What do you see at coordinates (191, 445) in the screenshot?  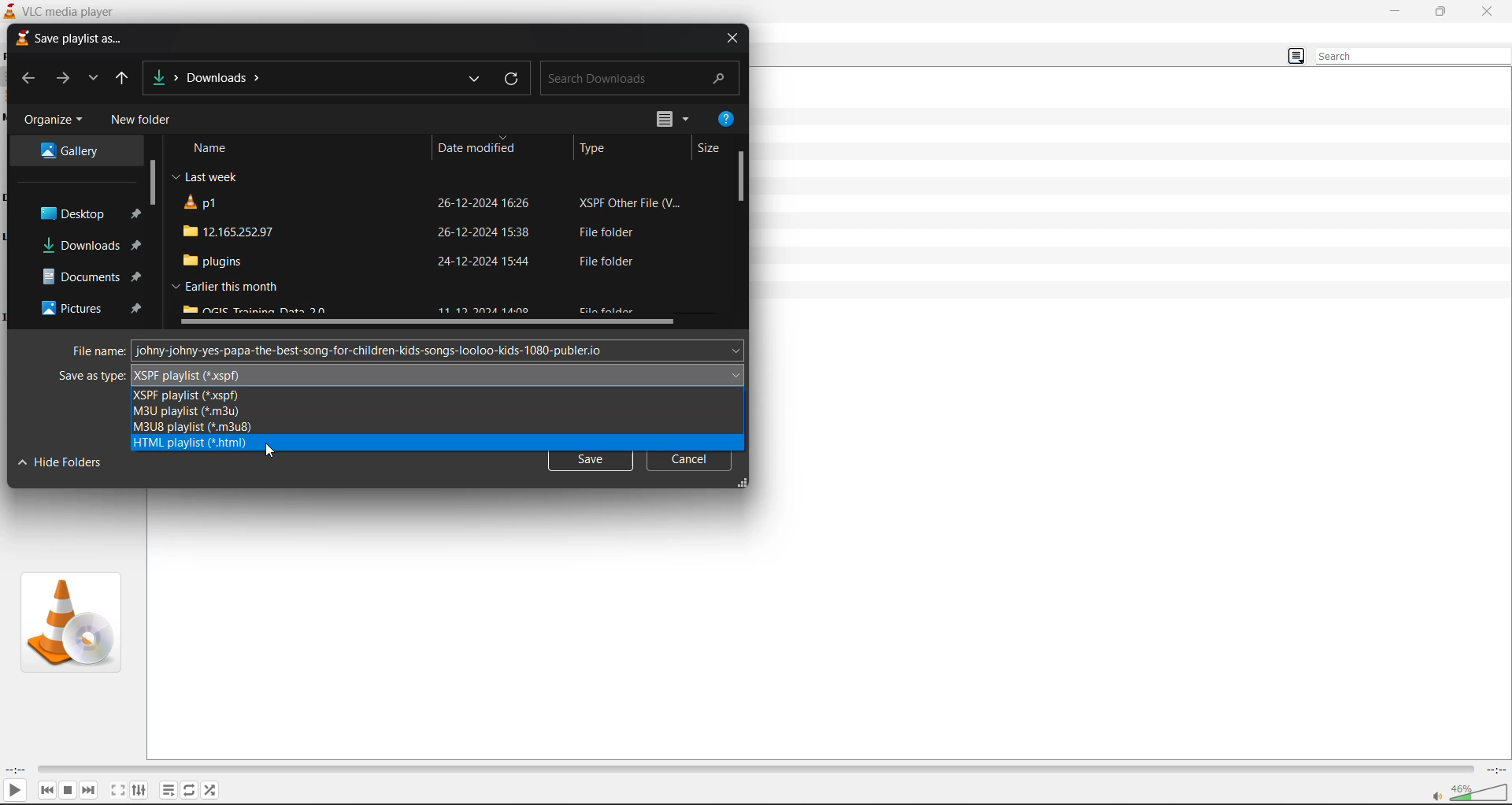 I see `html playlist` at bounding box center [191, 445].